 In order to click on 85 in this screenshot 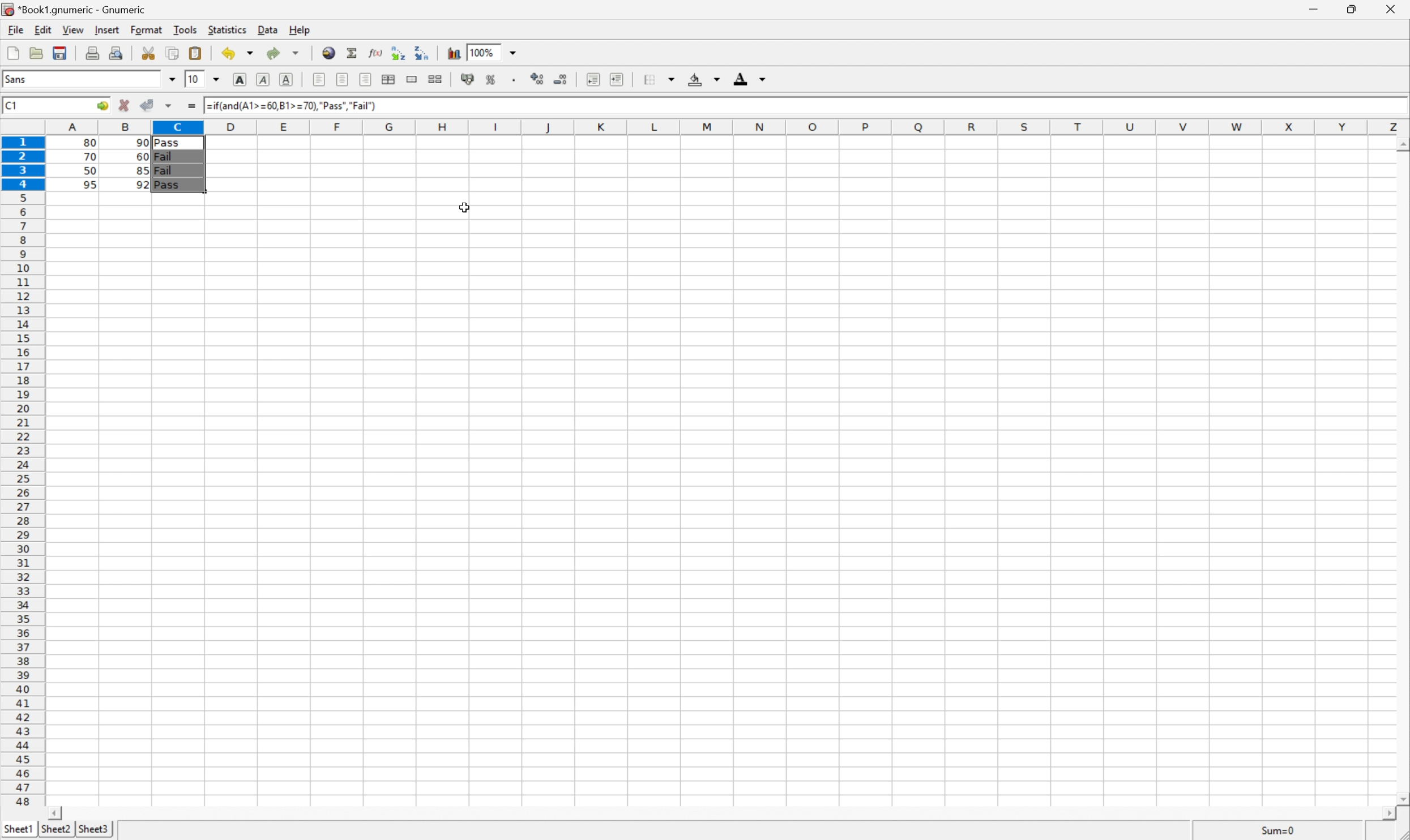, I will do `click(142, 172)`.